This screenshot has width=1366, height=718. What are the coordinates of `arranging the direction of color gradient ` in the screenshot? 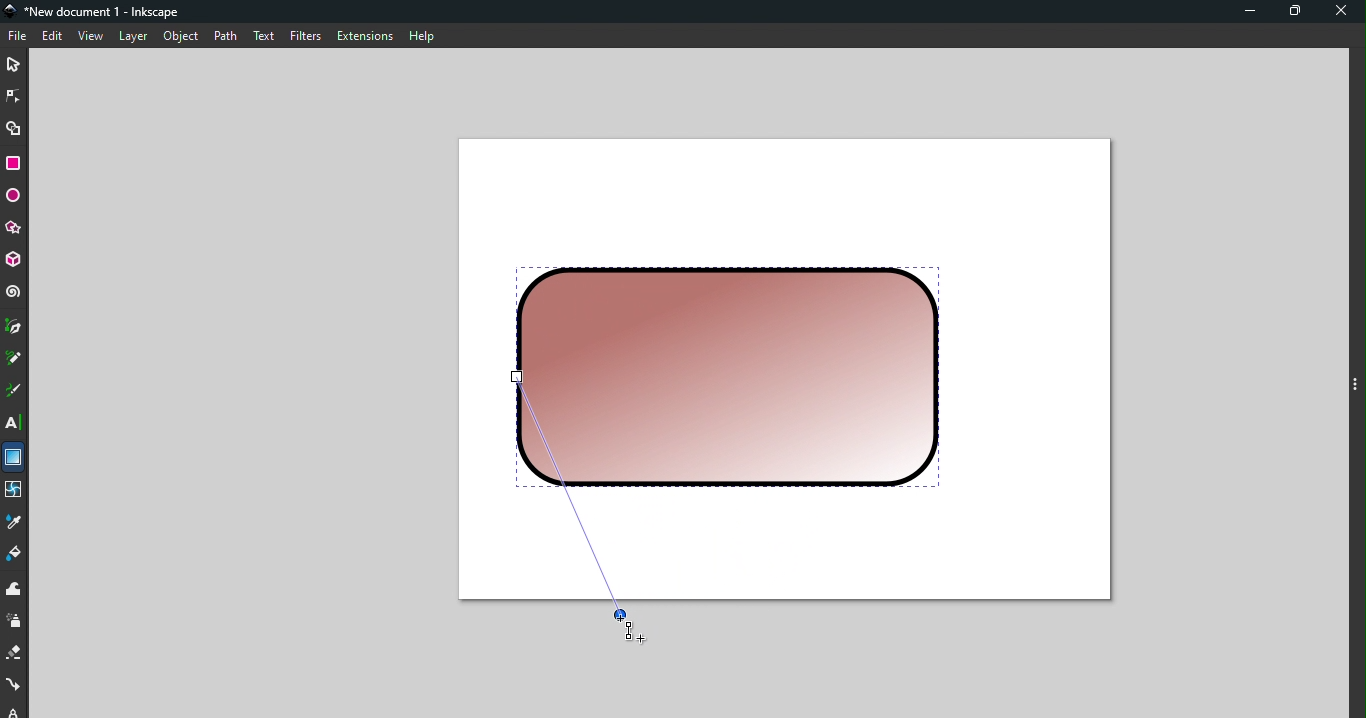 It's located at (579, 508).